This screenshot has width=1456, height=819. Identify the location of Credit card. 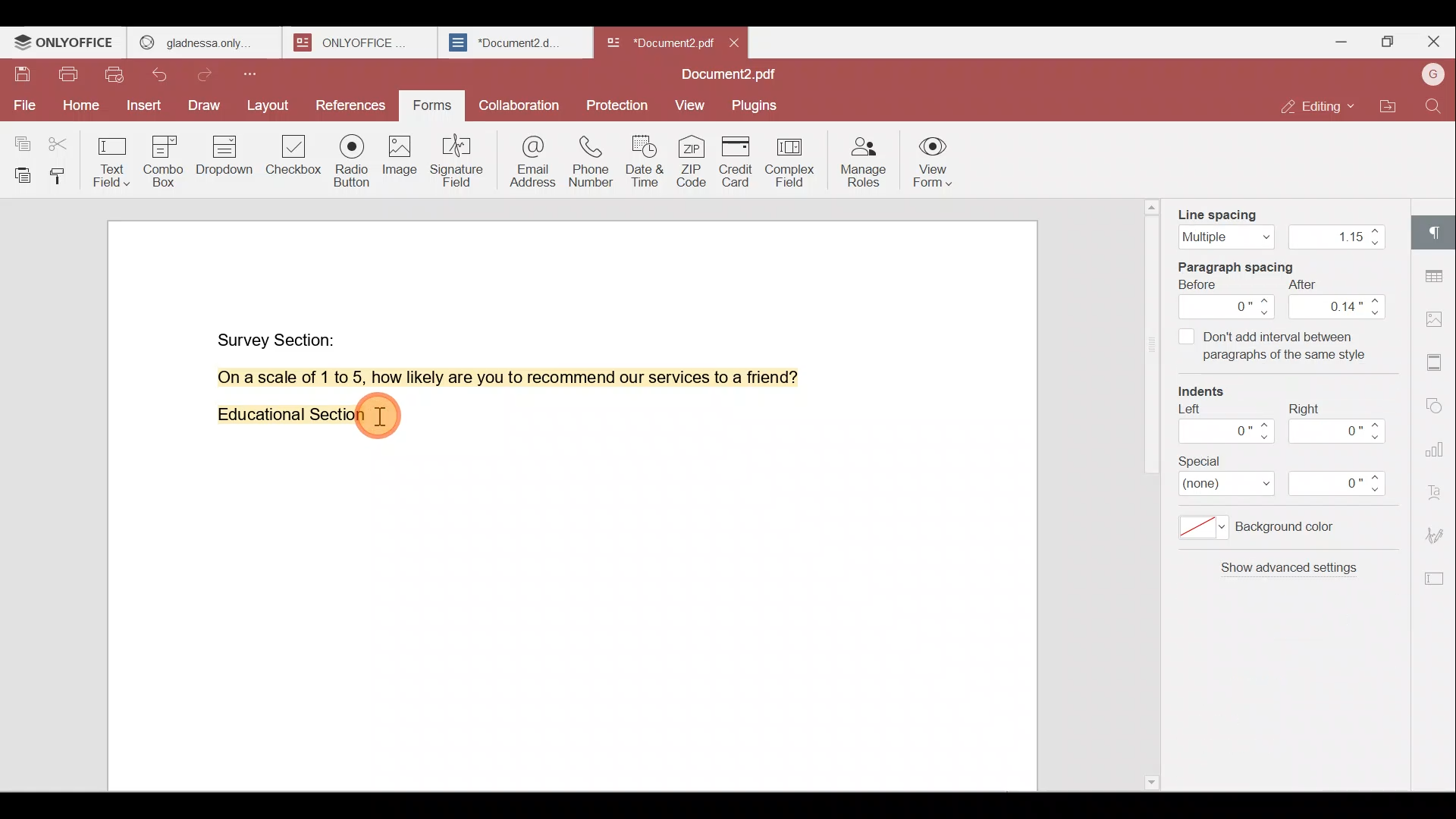
(740, 162).